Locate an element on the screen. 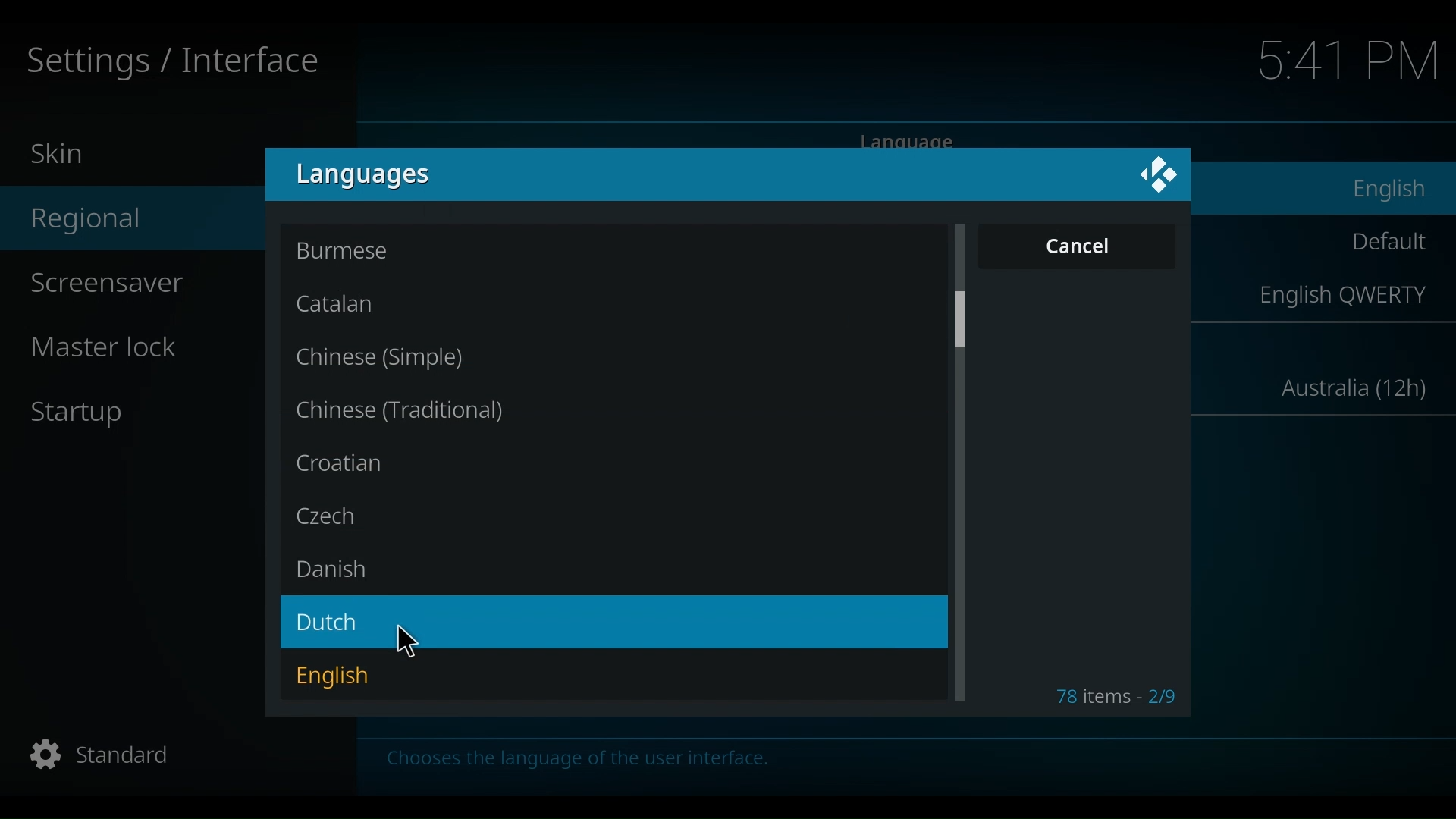 The height and width of the screenshot is (819, 1456). Standard is located at coordinates (111, 758).